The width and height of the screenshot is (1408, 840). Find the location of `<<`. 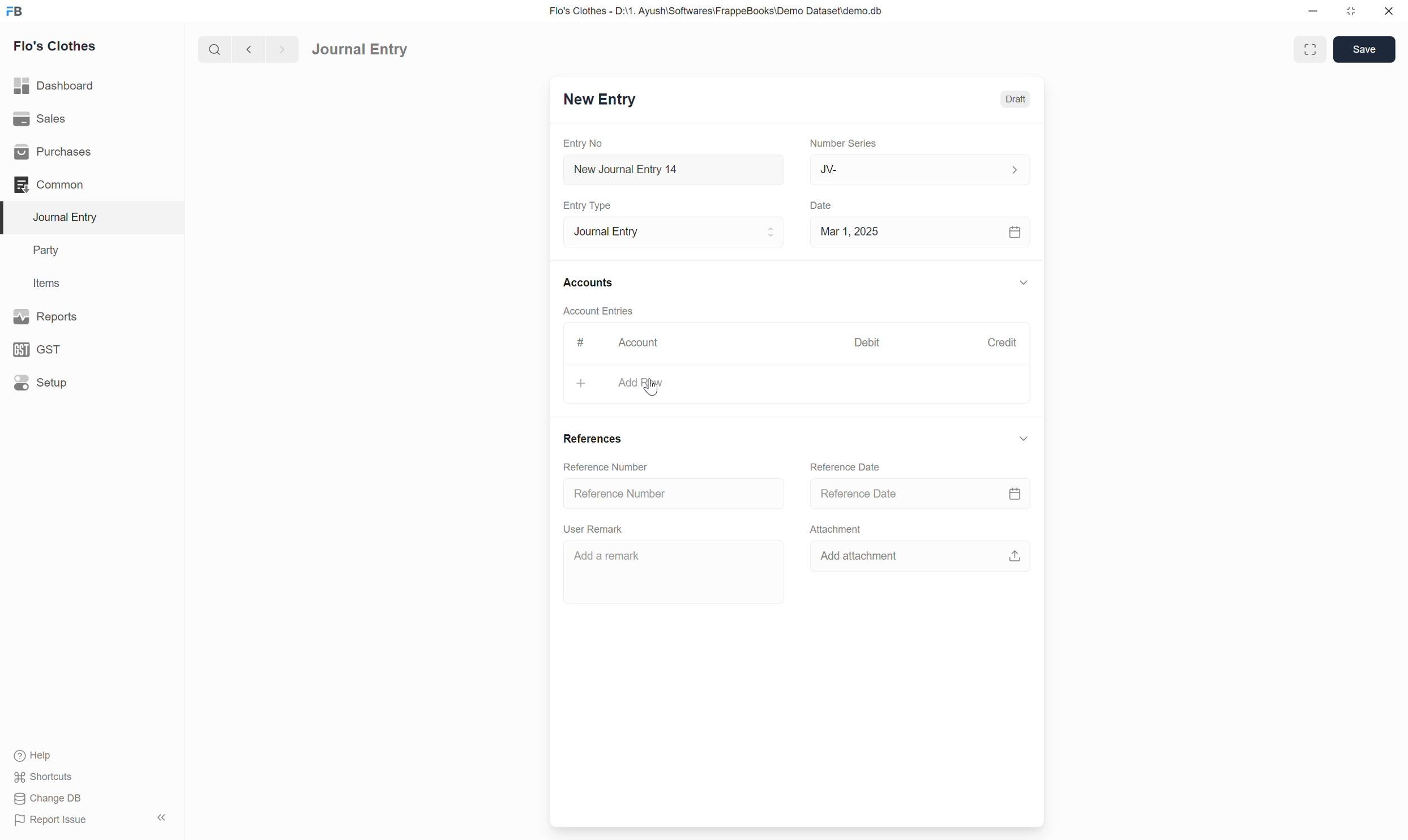

<< is located at coordinates (161, 818).